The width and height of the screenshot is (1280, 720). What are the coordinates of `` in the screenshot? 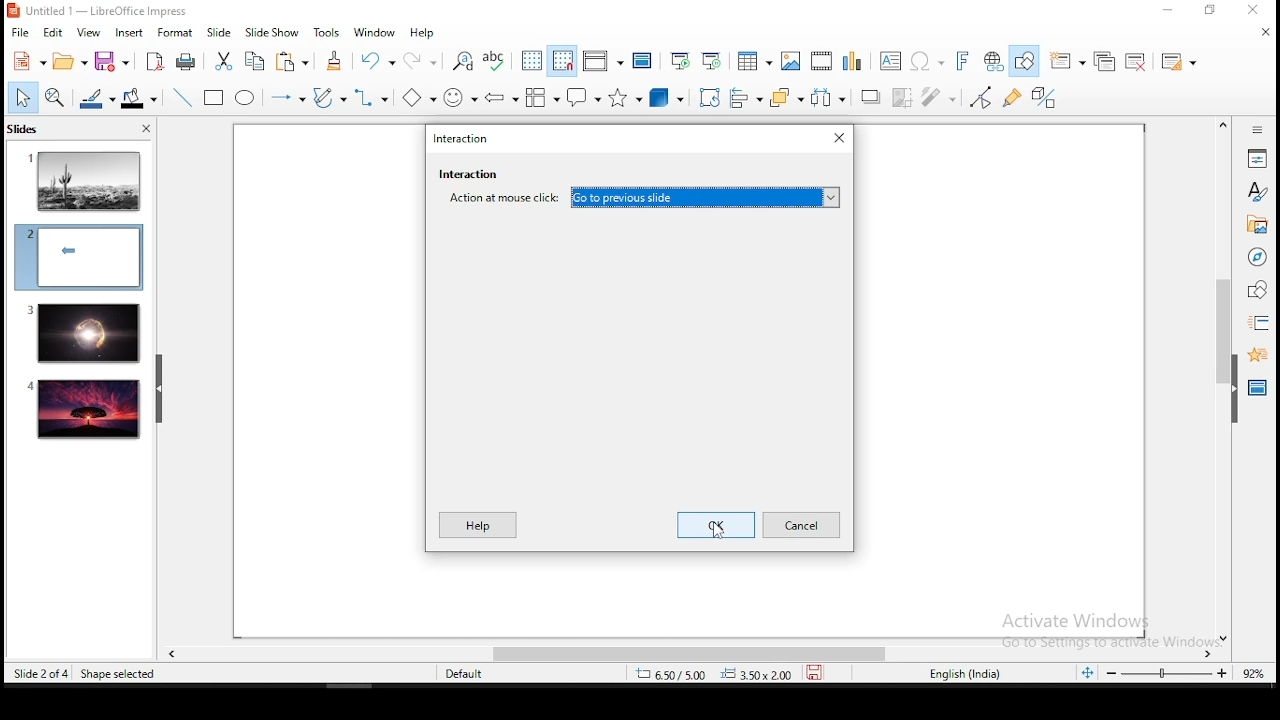 It's located at (719, 530).